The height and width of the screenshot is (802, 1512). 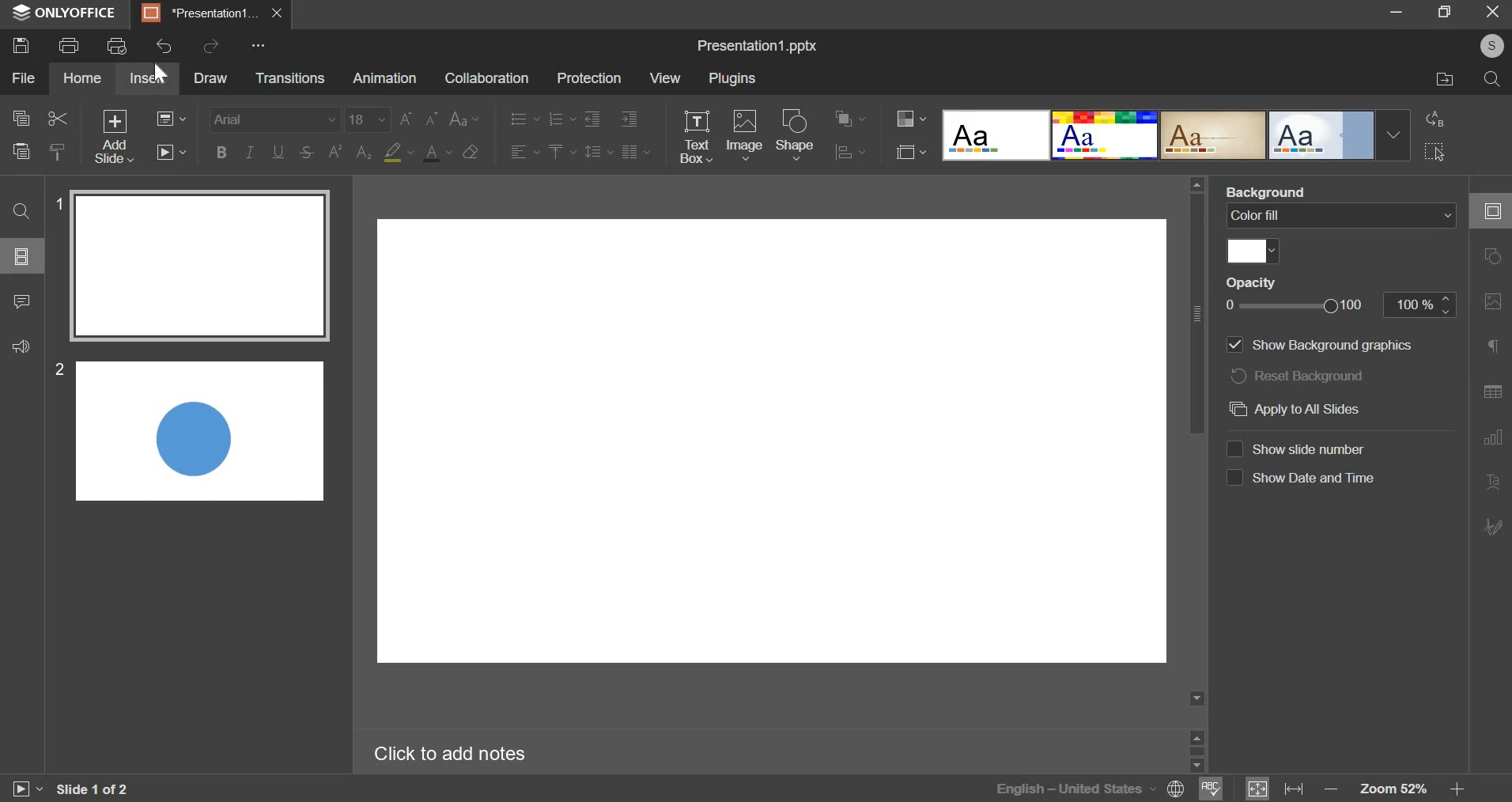 I want to click on Slide editor, so click(x=770, y=441).